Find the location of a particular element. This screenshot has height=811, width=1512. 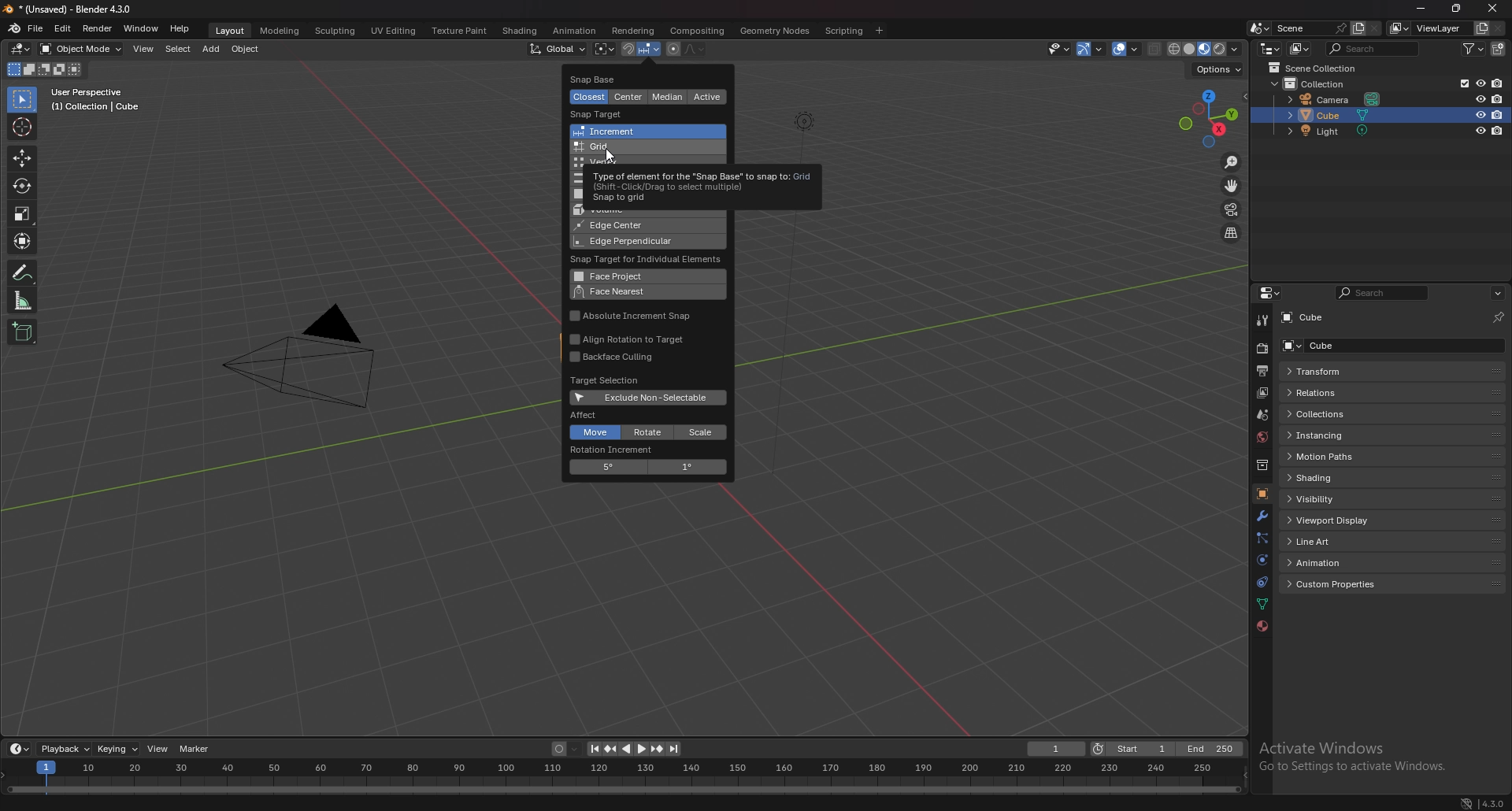

rotate is located at coordinates (23, 185).